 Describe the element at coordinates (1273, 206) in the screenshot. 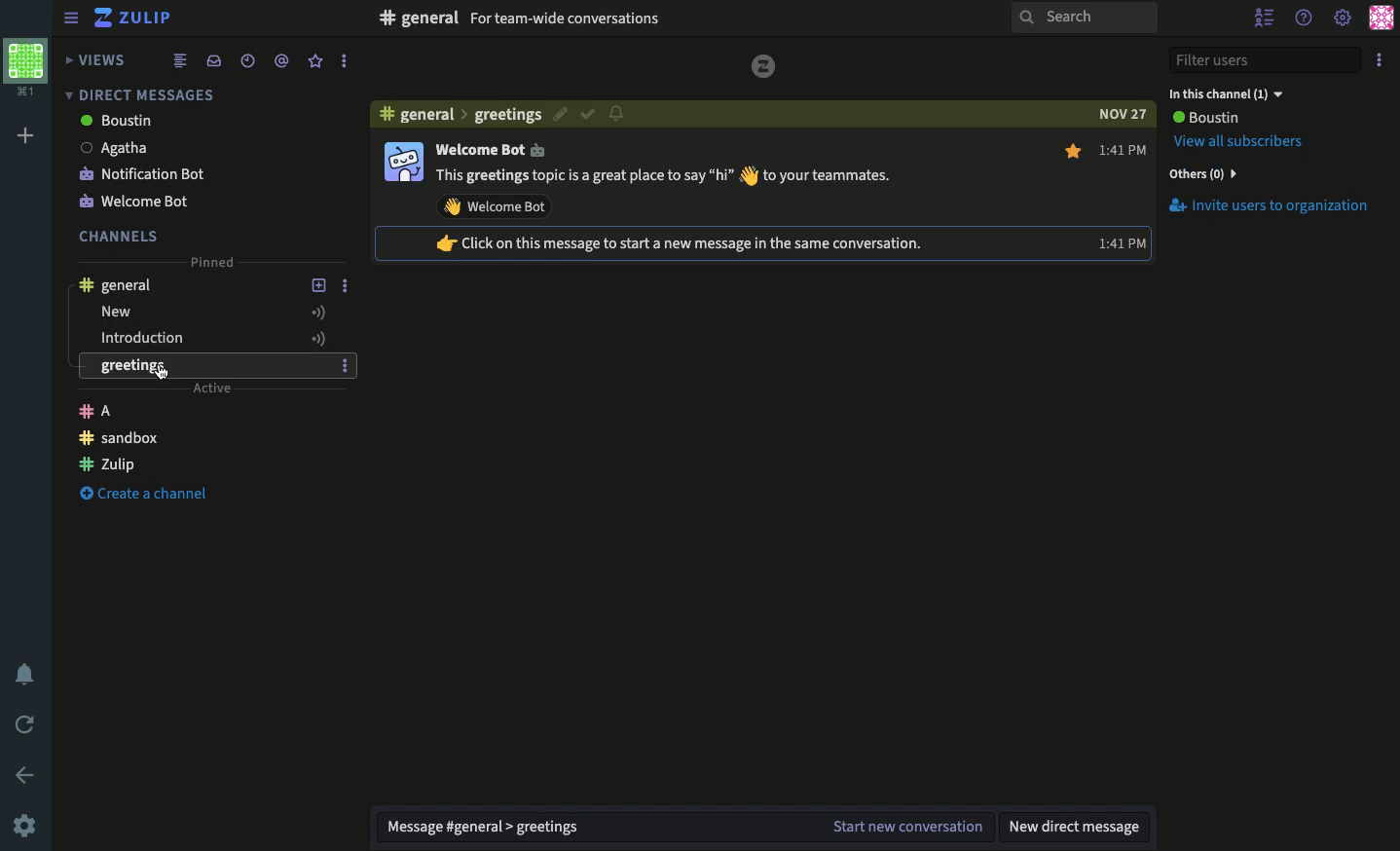

I see `Invite users` at that location.